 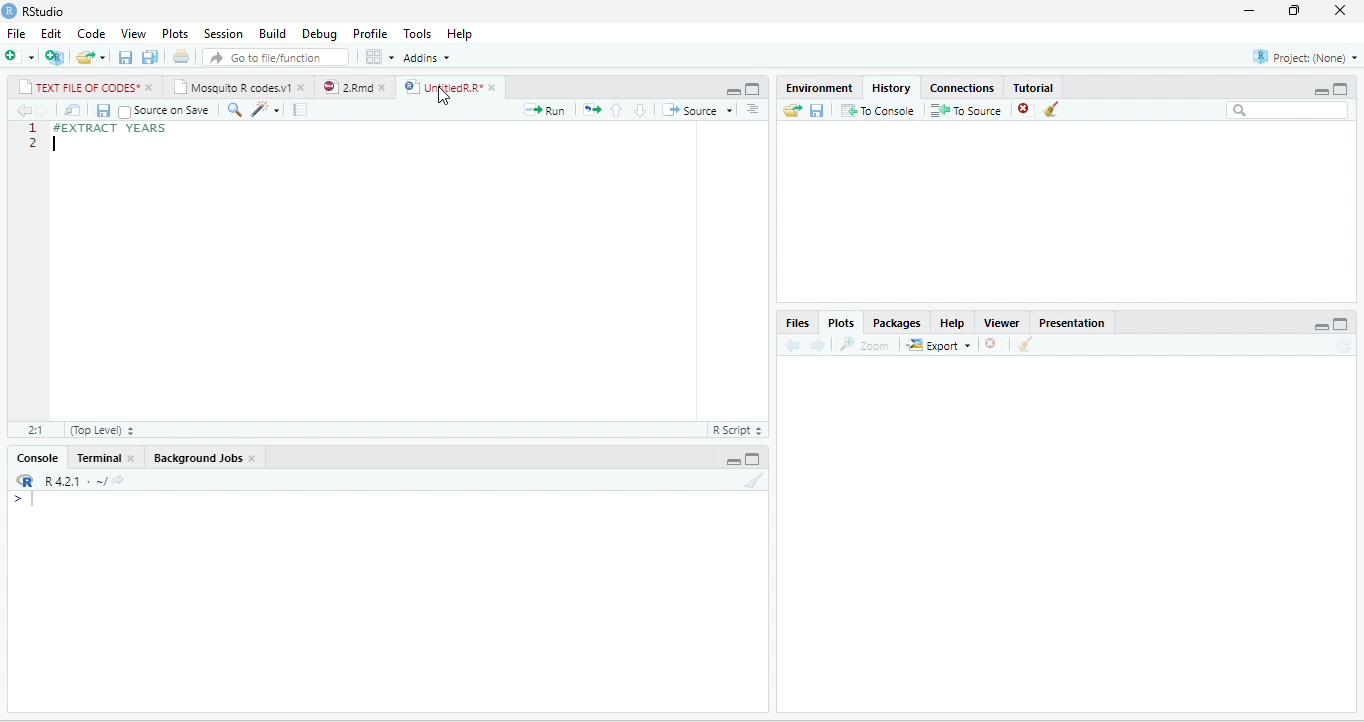 What do you see at coordinates (175, 34) in the screenshot?
I see `Plots` at bounding box center [175, 34].